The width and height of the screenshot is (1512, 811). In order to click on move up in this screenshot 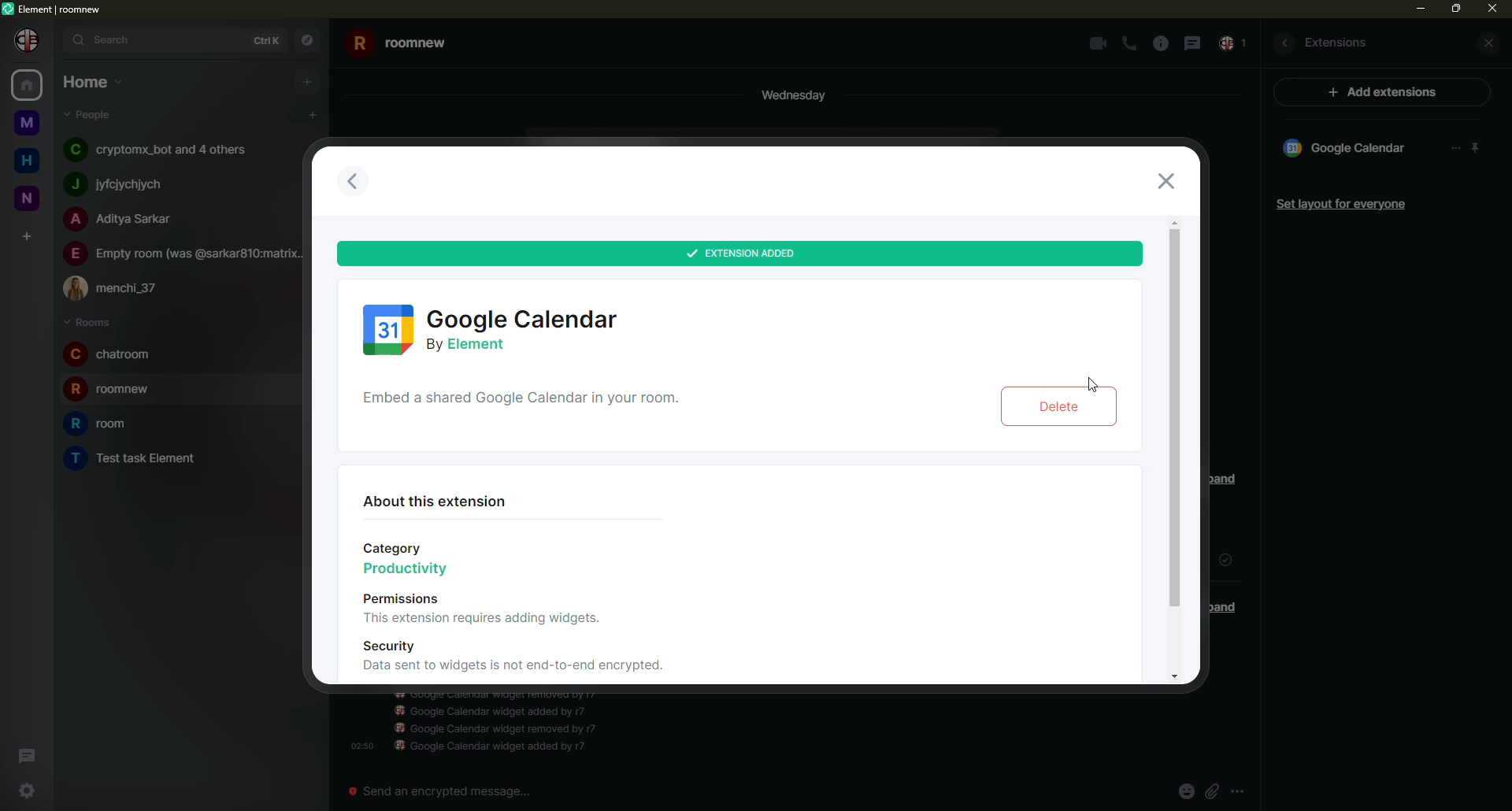, I will do `click(1176, 221)`.